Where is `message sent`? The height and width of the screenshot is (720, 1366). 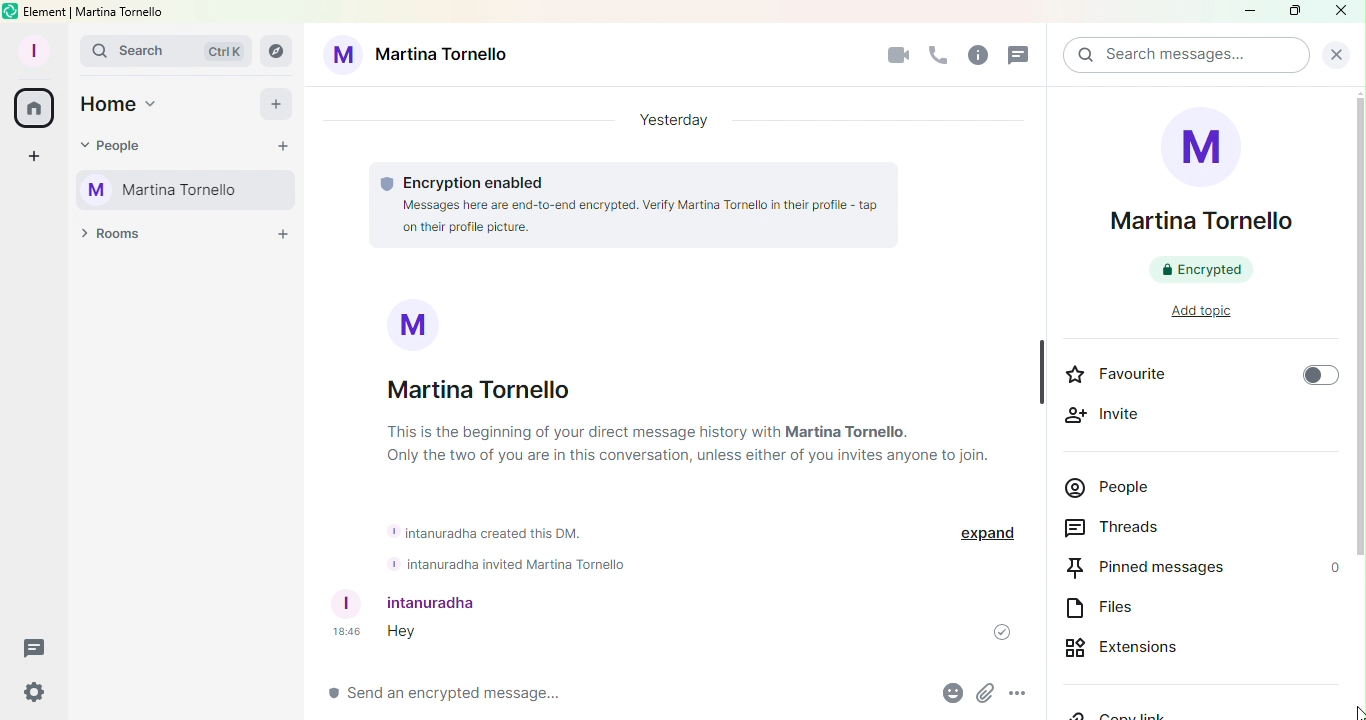
message sent is located at coordinates (1000, 632).